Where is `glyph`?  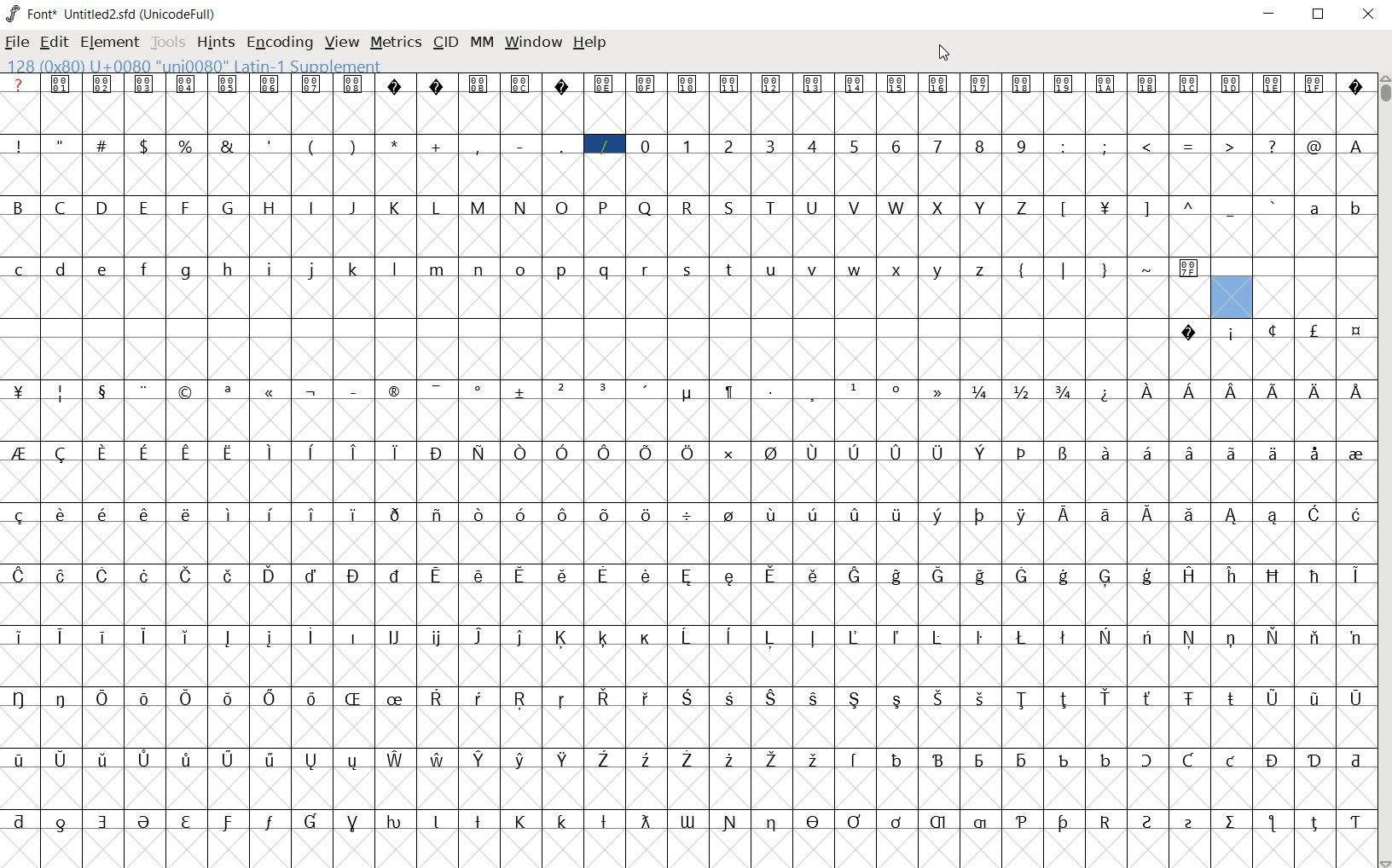 glyph is located at coordinates (770, 207).